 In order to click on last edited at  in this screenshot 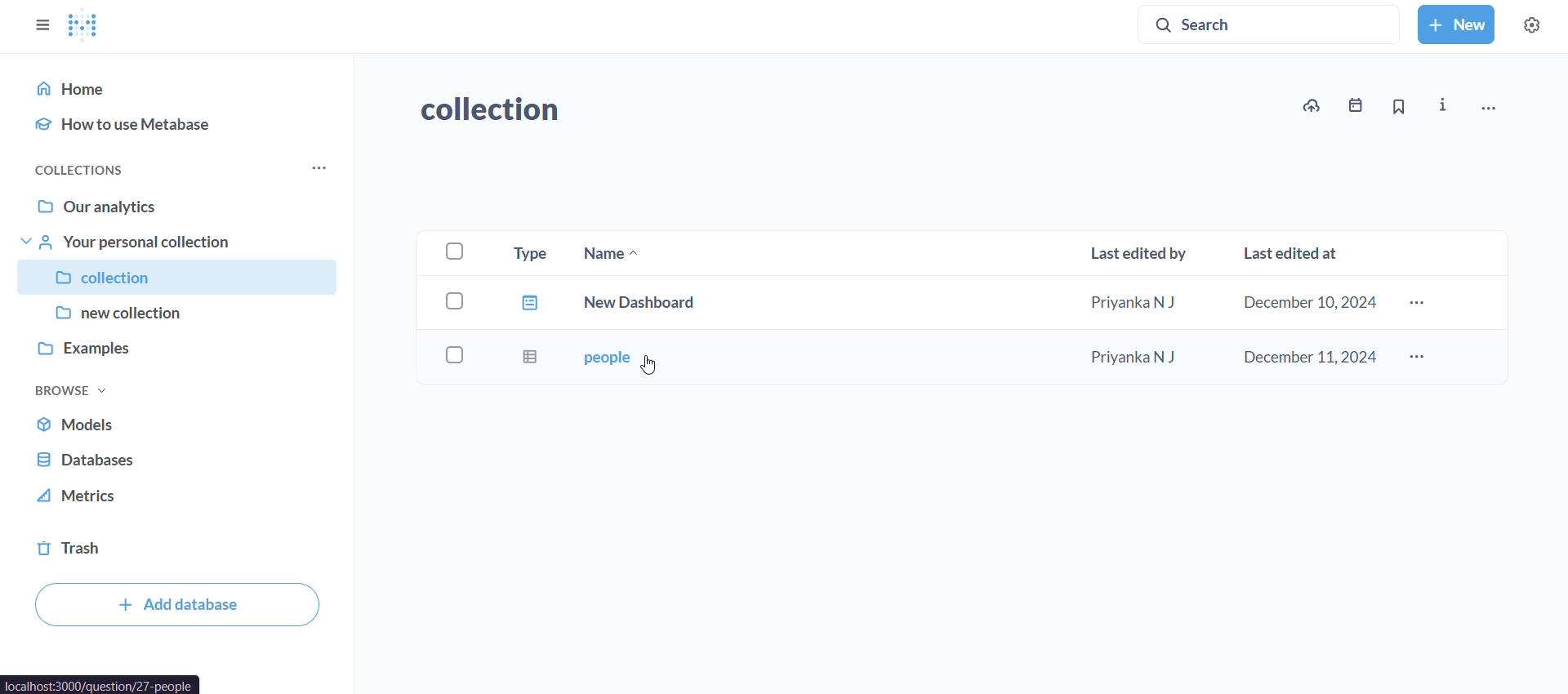, I will do `click(1301, 256)`.